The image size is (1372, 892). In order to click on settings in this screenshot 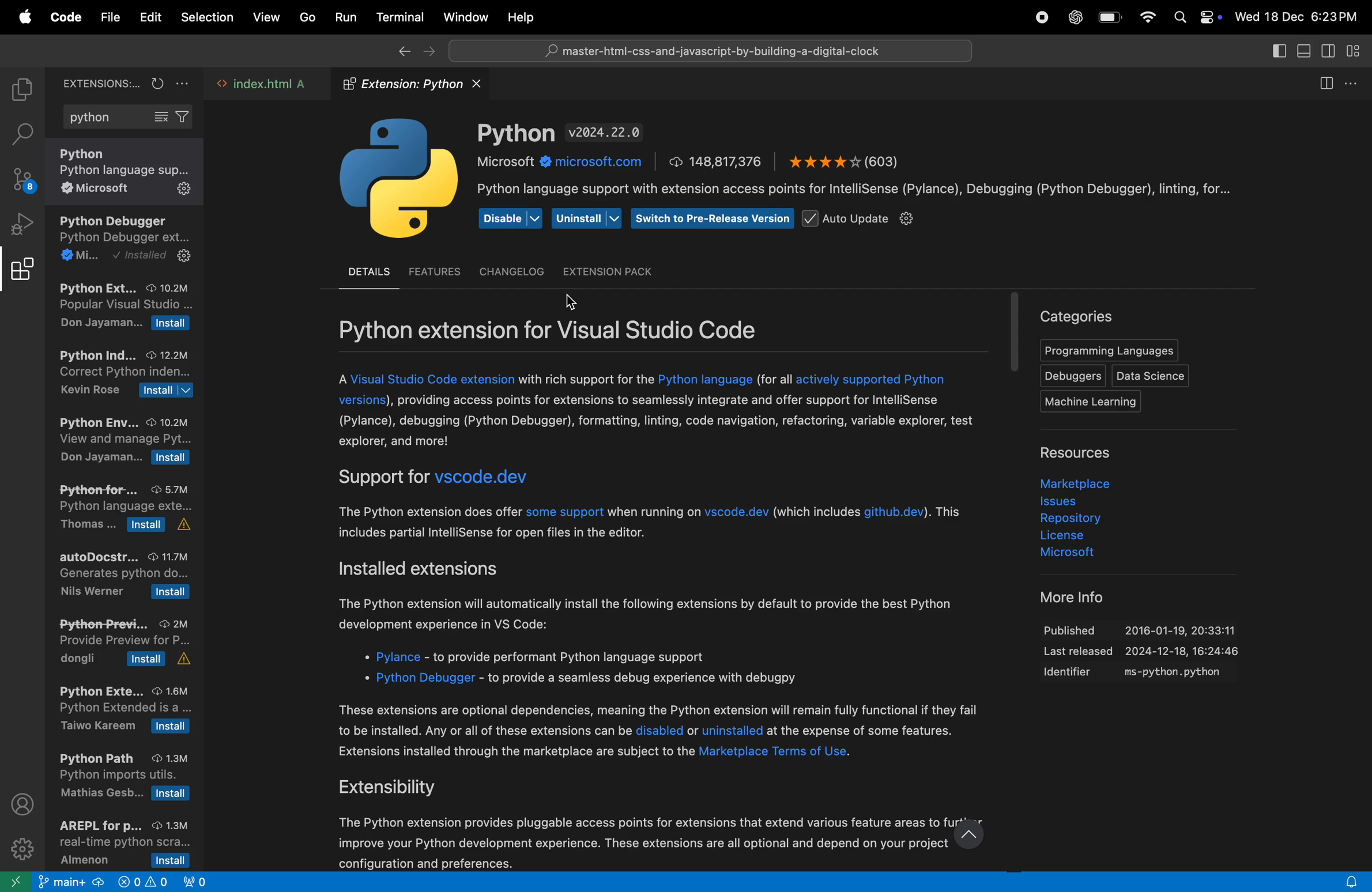, I will do `click(23, 848)`.